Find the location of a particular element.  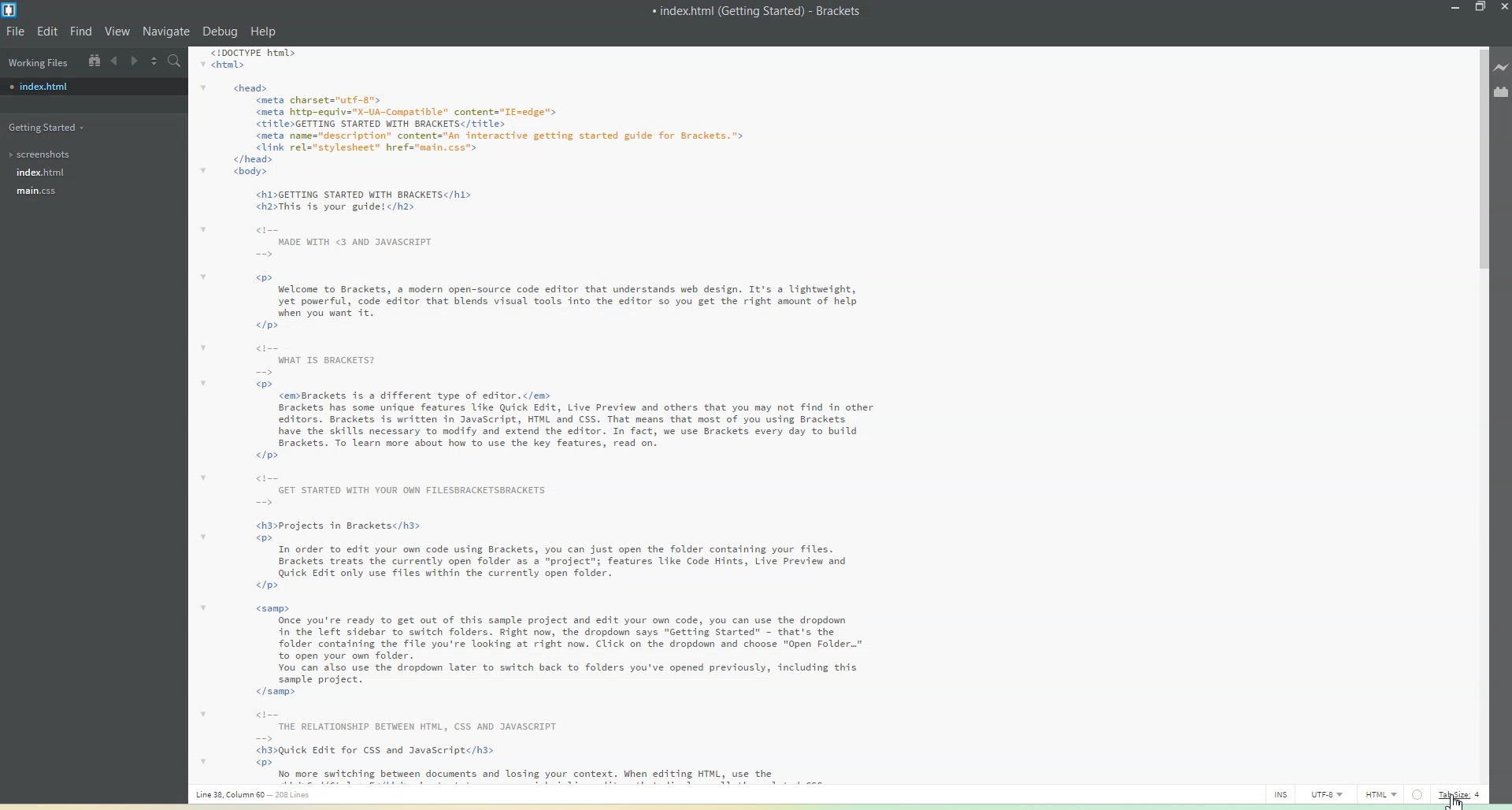

Vertical Scroll bar is located at coordinates (1480, 414).